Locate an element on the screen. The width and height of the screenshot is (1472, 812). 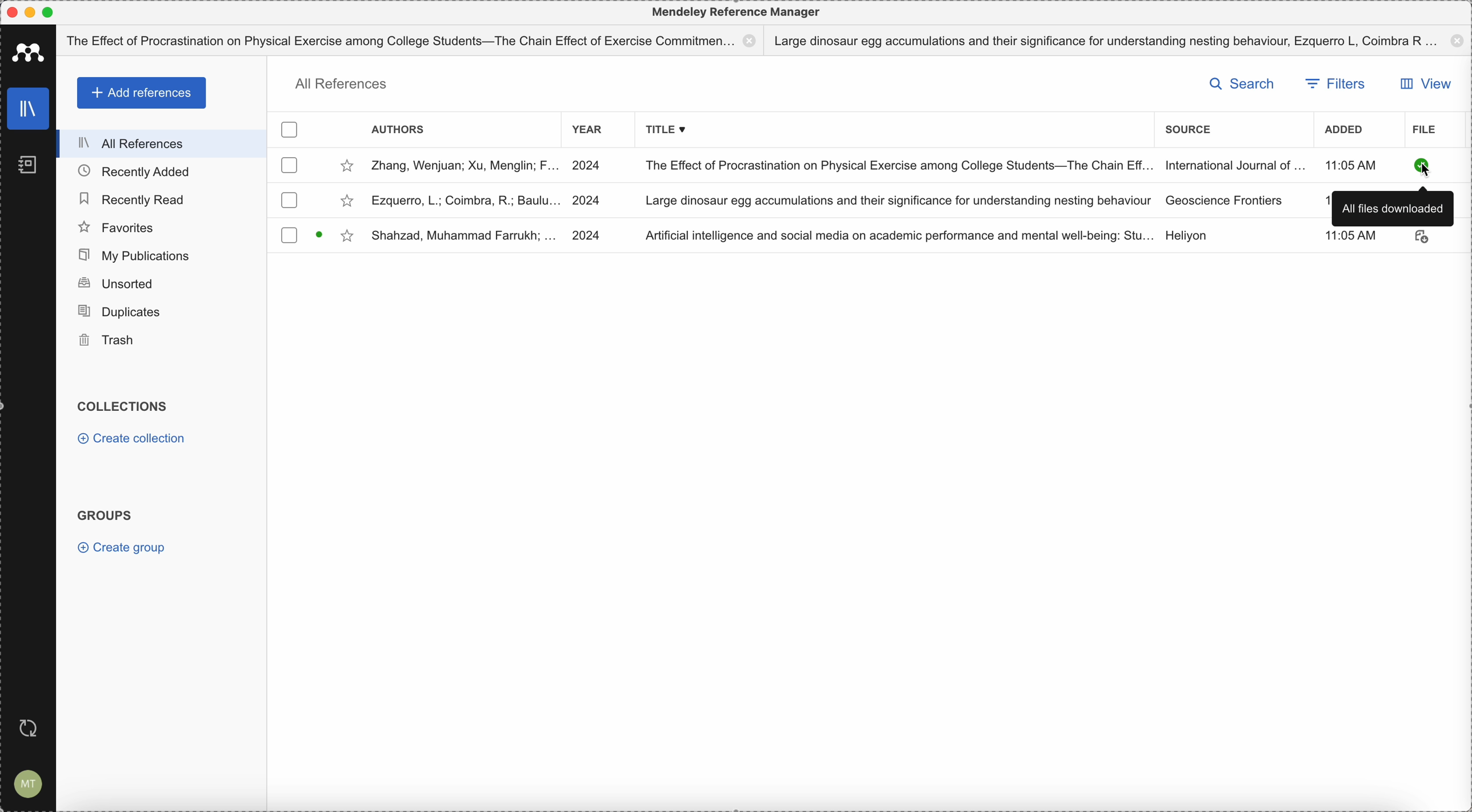
downloaded file is located at coordinates (1421, 158).